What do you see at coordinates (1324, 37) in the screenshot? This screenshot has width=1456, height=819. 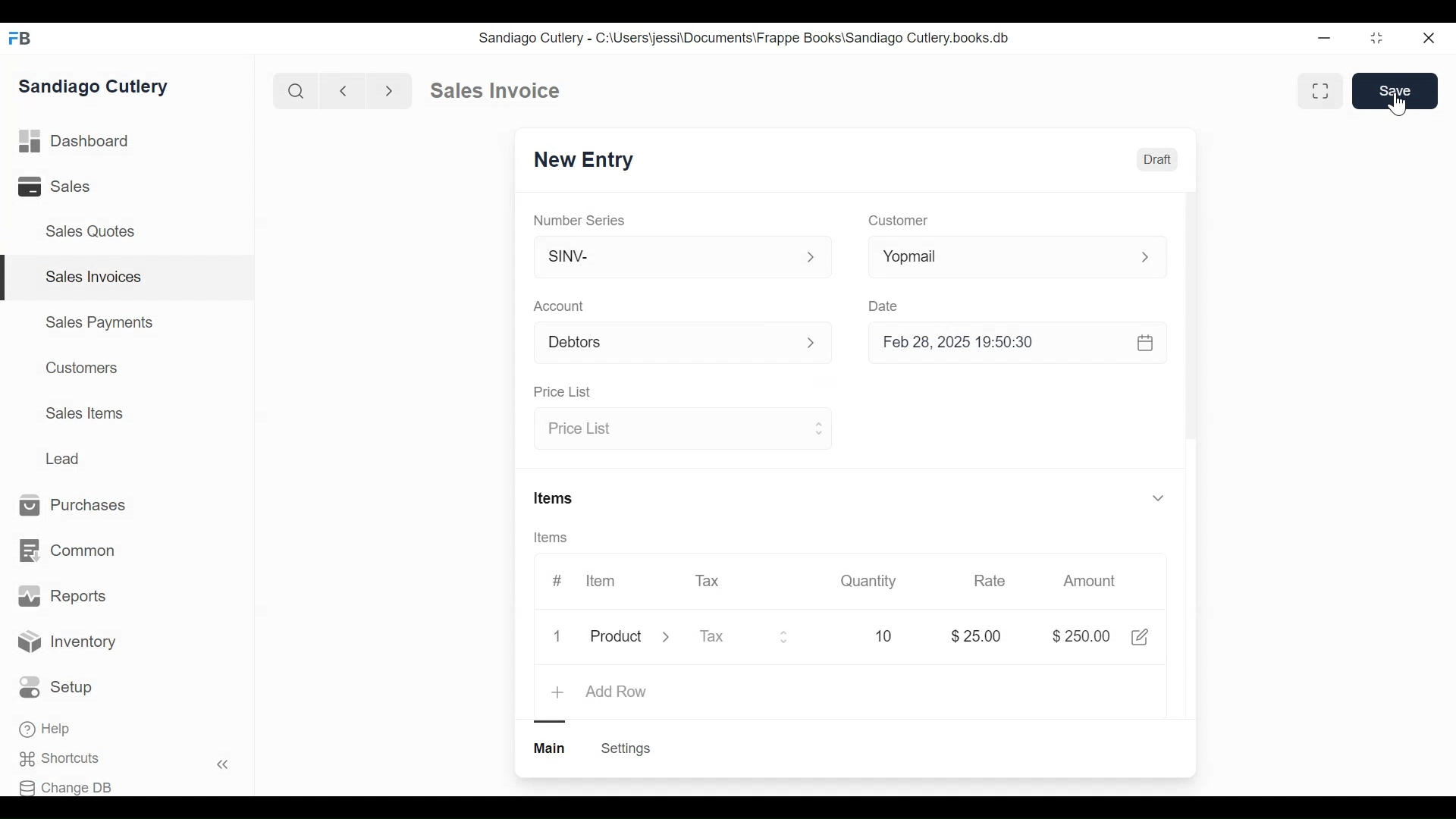 I see `minimize` at bounding box center [1324, 37].